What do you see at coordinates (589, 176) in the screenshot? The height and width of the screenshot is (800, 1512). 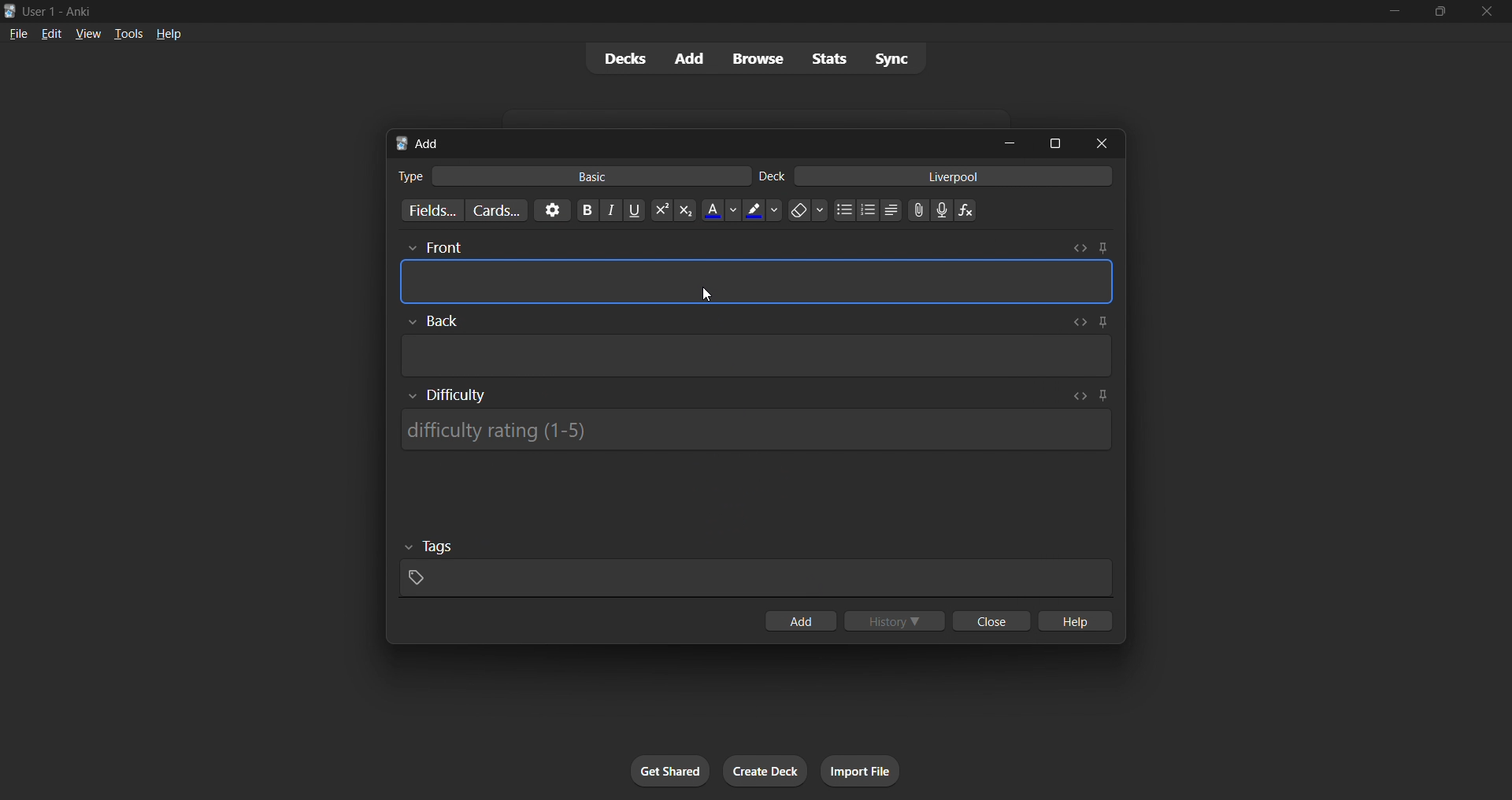 I see `basic card type` at bounding box center [589, 176].